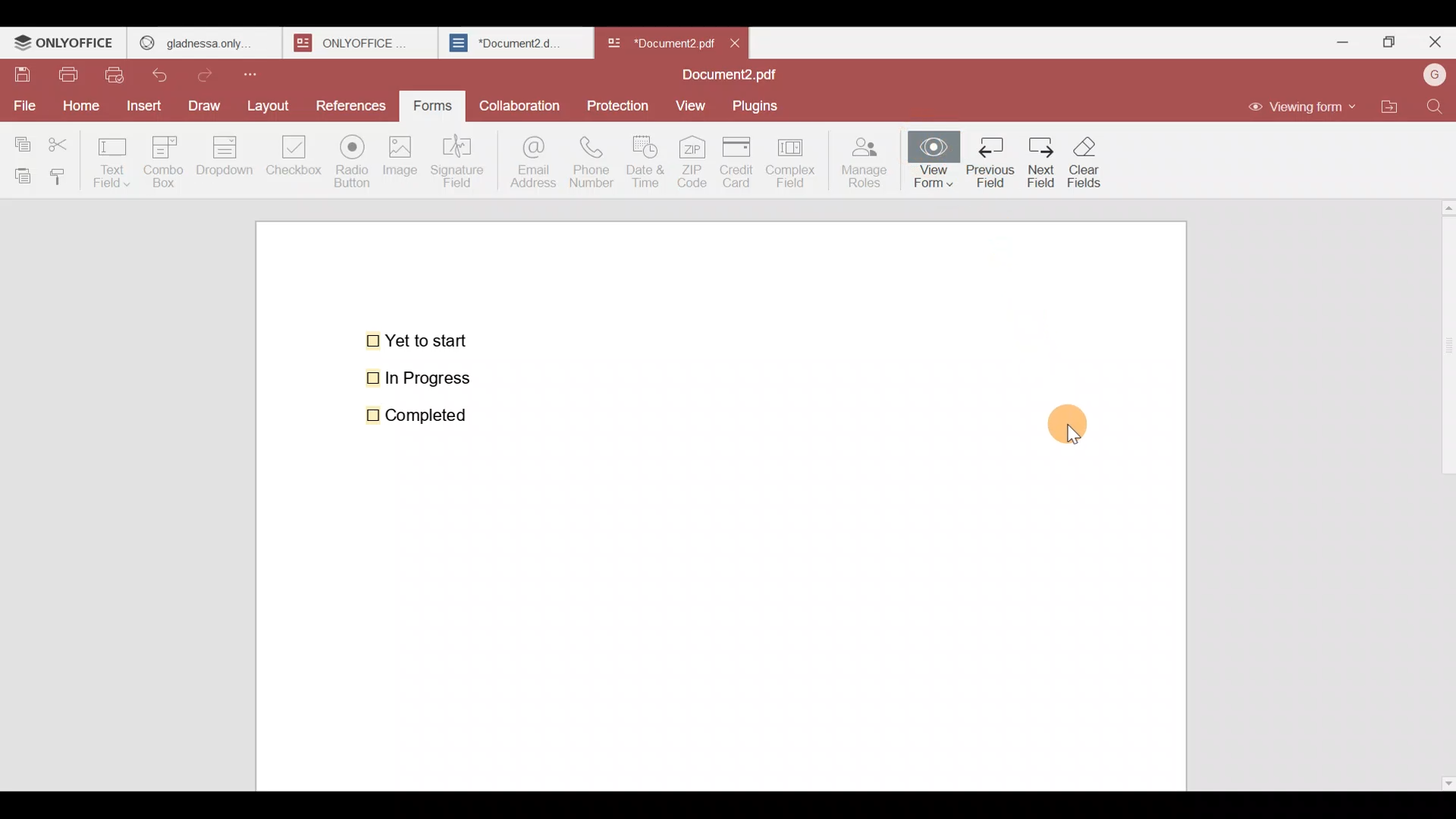 The width and height of the screenshot is (1456, 819). Describe the element at coordinates (1336, 39) in the screenshot. I see `Minimize` at that location.